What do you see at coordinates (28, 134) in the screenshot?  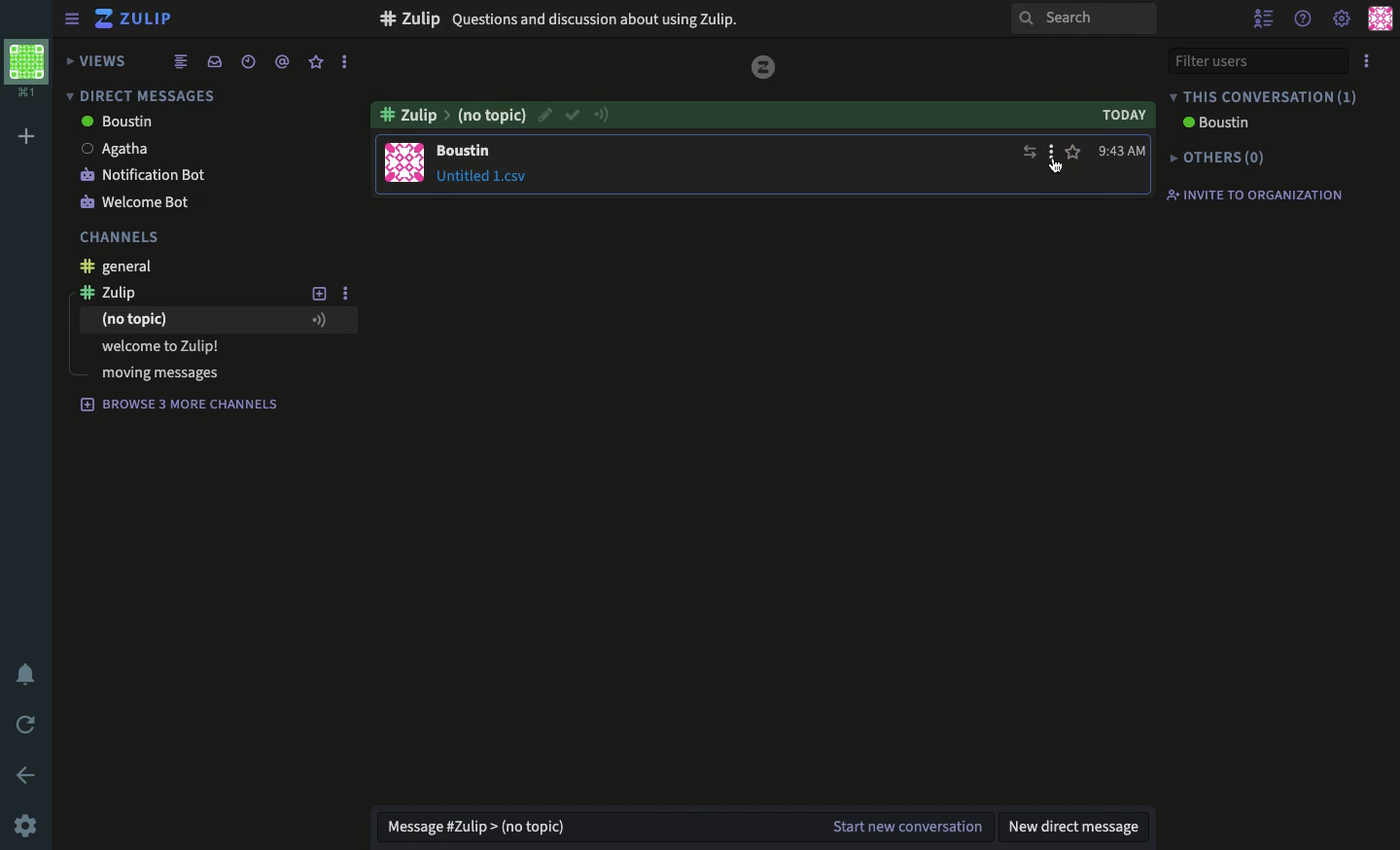 I see `add workspace` at bounding box center [28, 134].